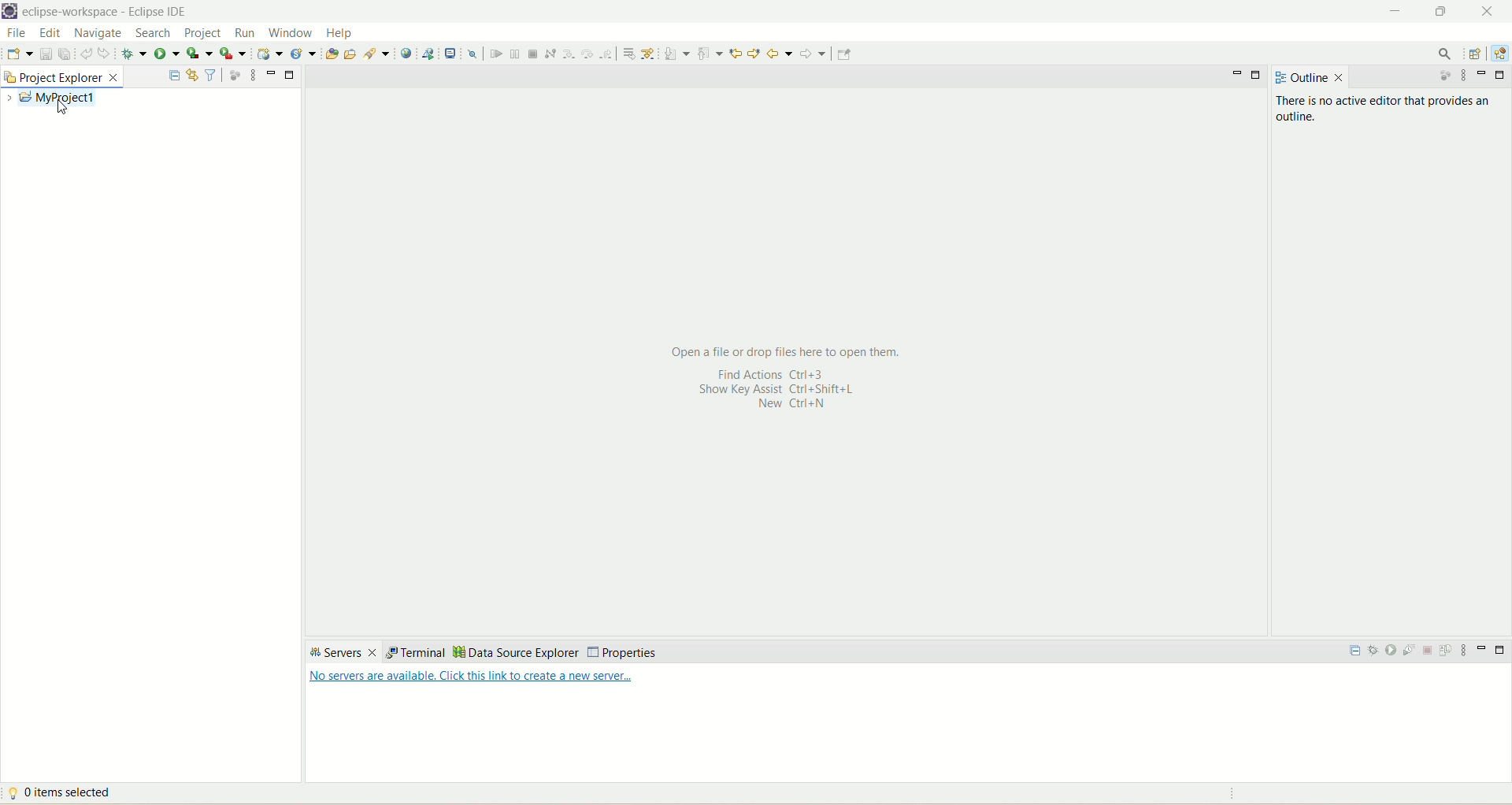 Image resolution: width=1512 pixels, height=805 pixels. Describe the element at coordinates (270, 73) in the screenshot. I see `minimize` at that location.